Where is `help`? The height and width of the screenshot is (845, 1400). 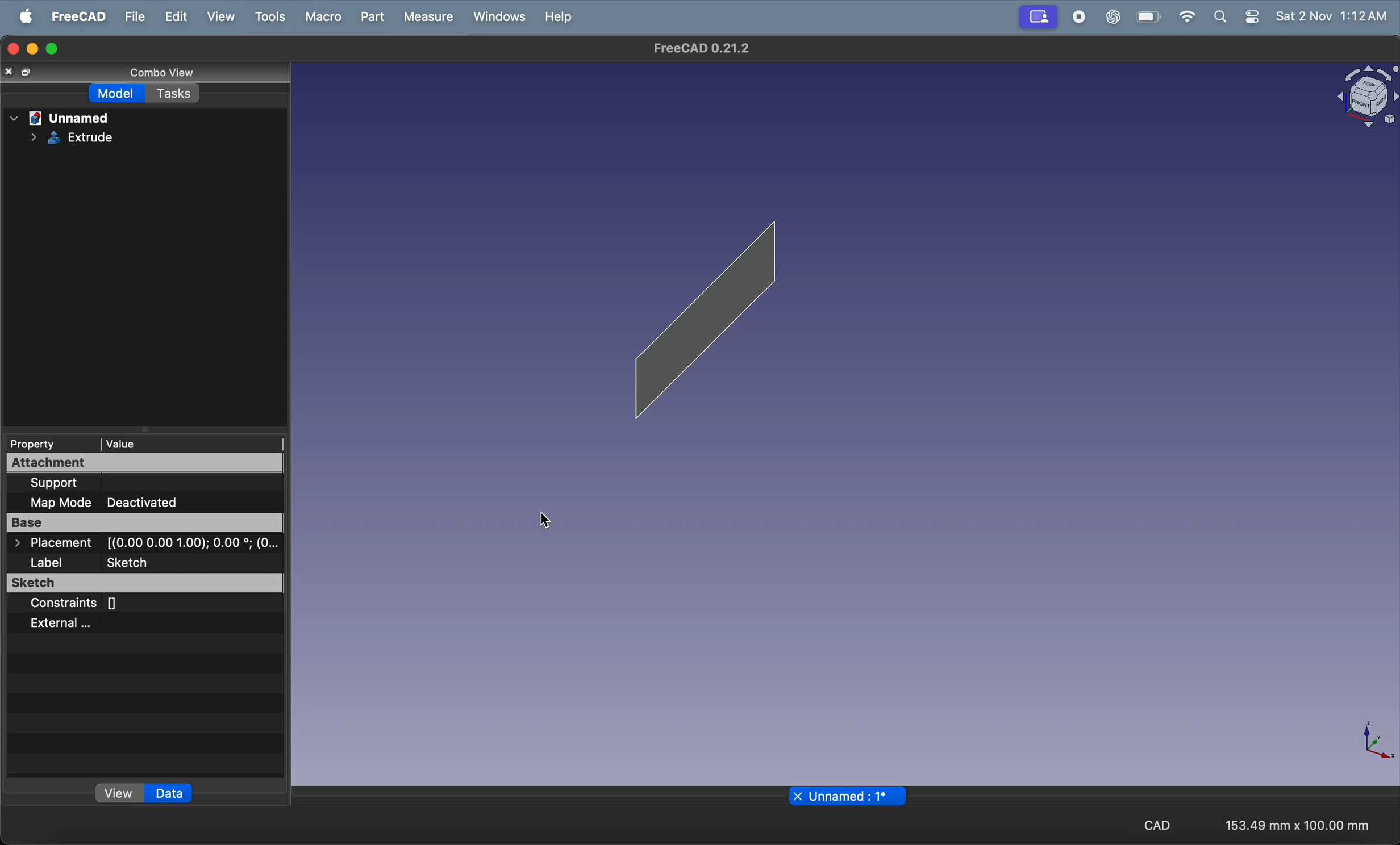
help is located at coordinates (560, 17).